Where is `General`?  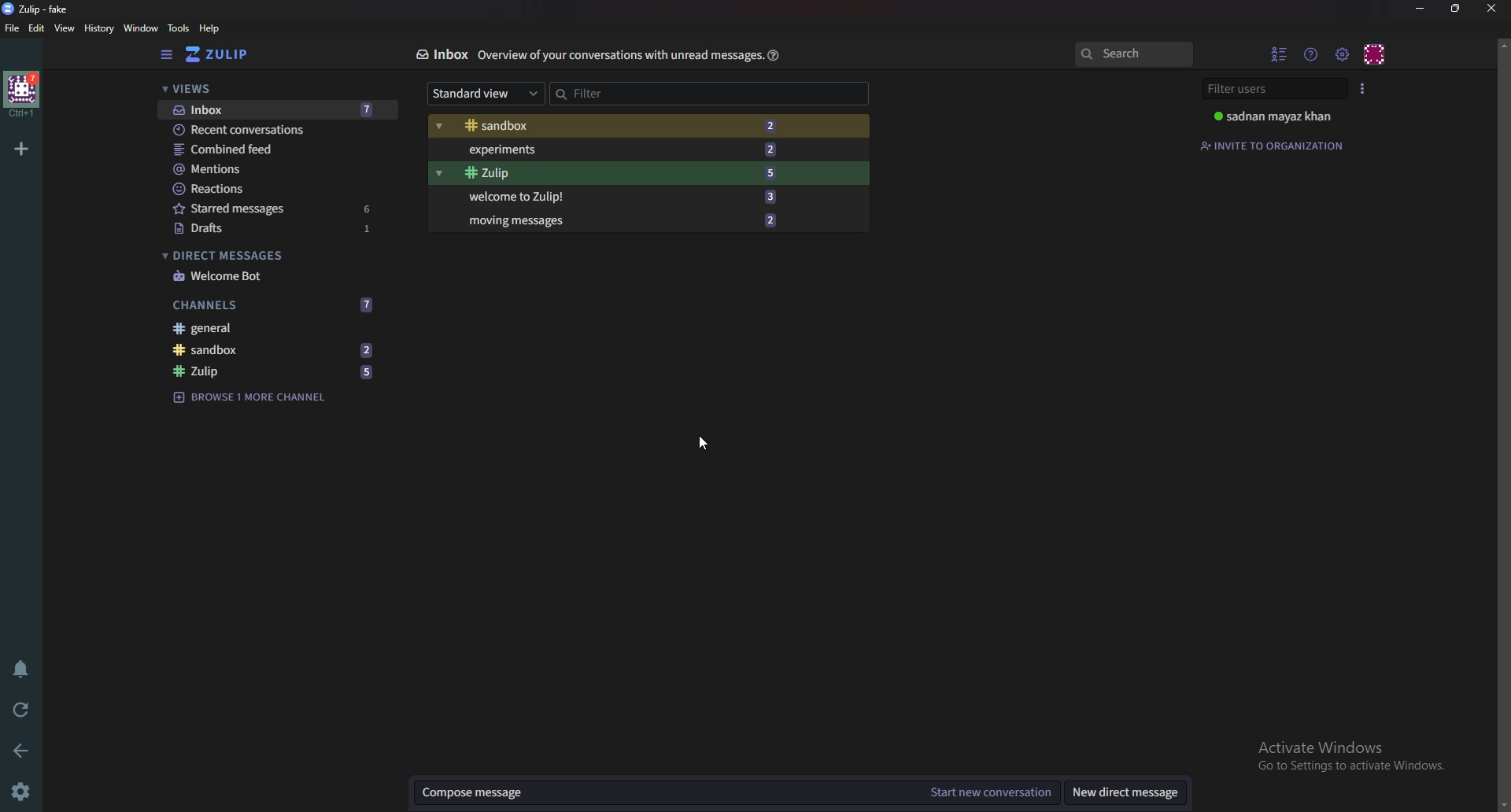
General is located at coordinates (272, 328).